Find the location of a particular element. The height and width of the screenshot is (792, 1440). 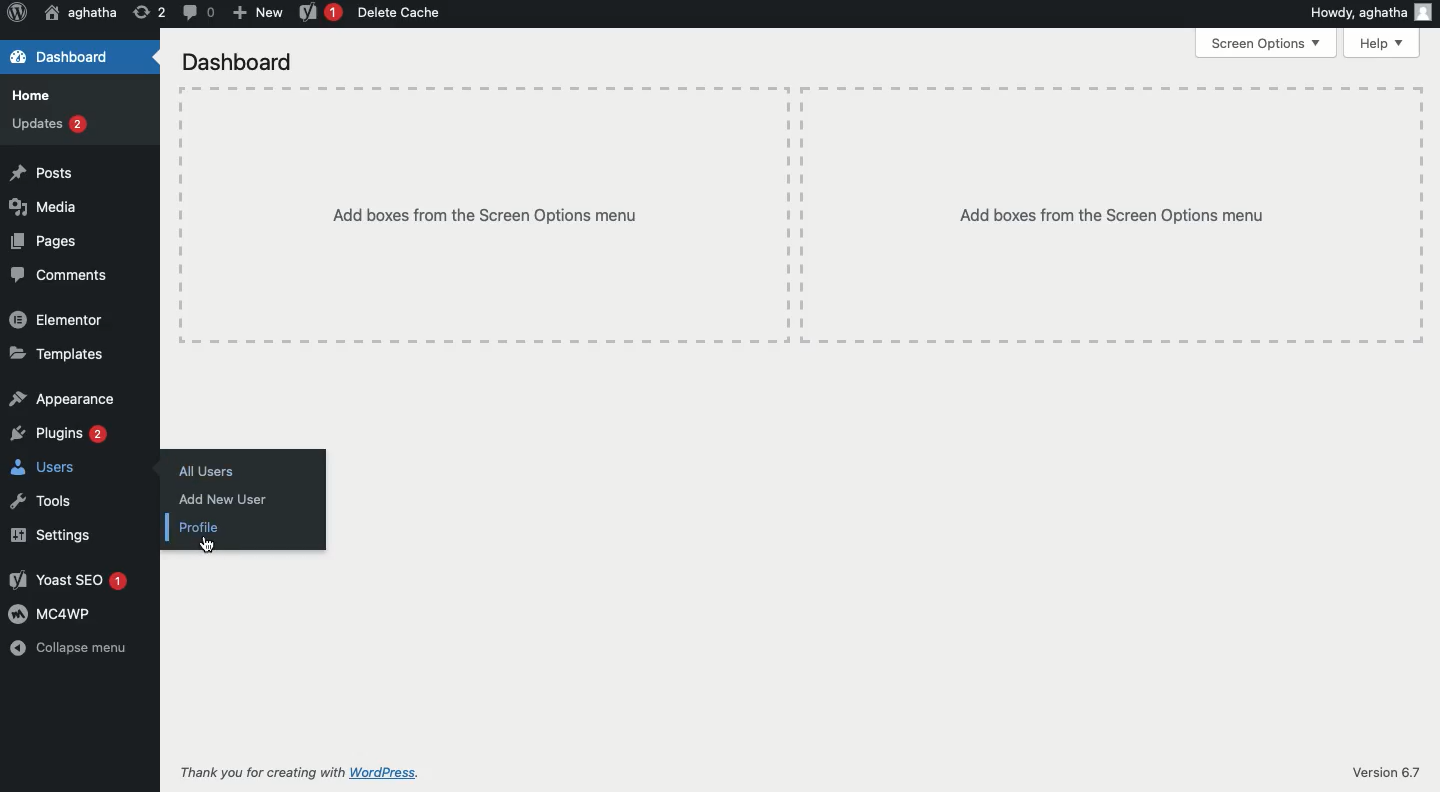

User is located at coordinates (82, 12).